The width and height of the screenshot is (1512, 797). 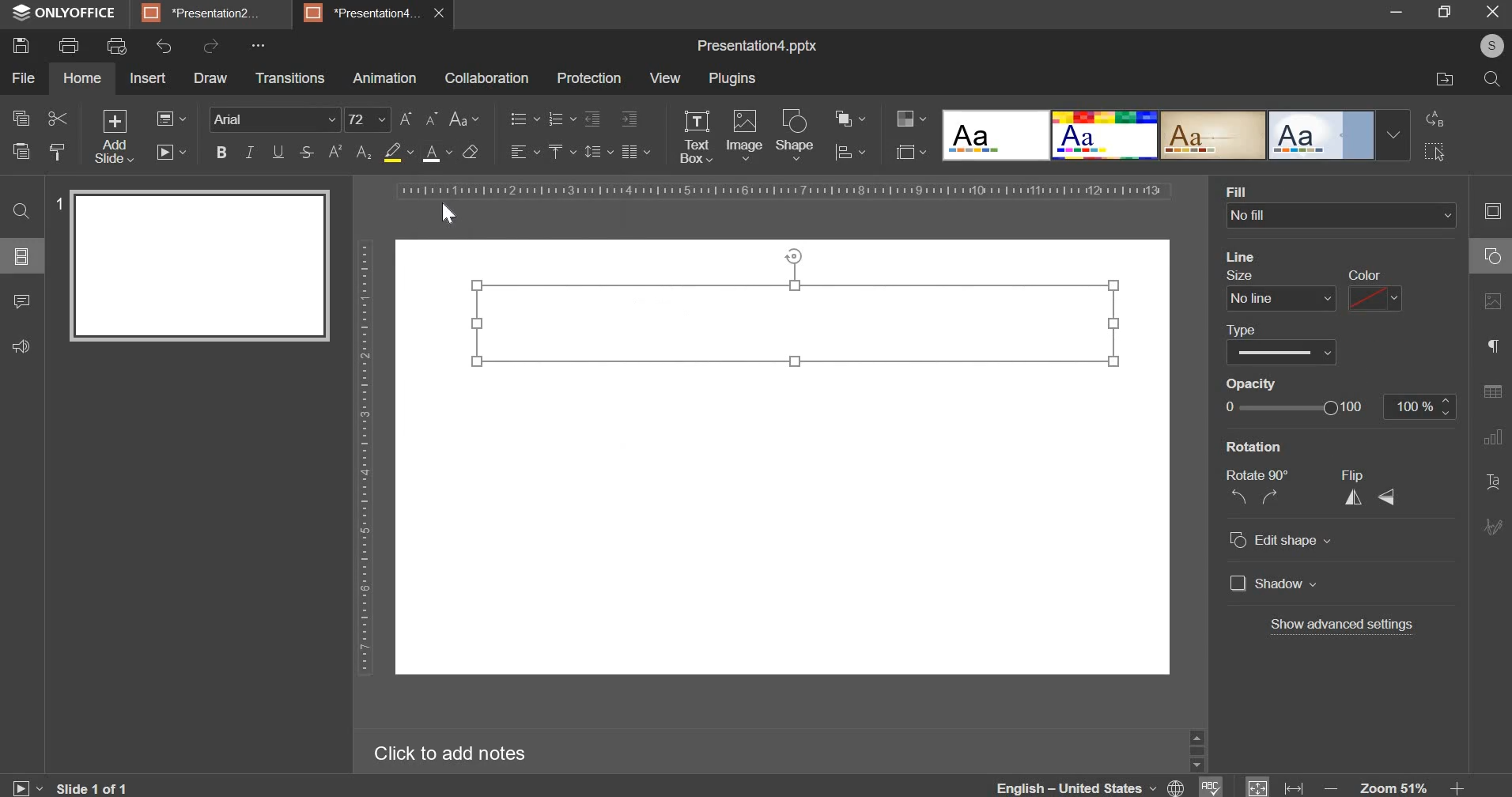 What do you see at coordinates (304, 152) in the screenshot?
I see `strikethrough` at bounding box center [304, 152].